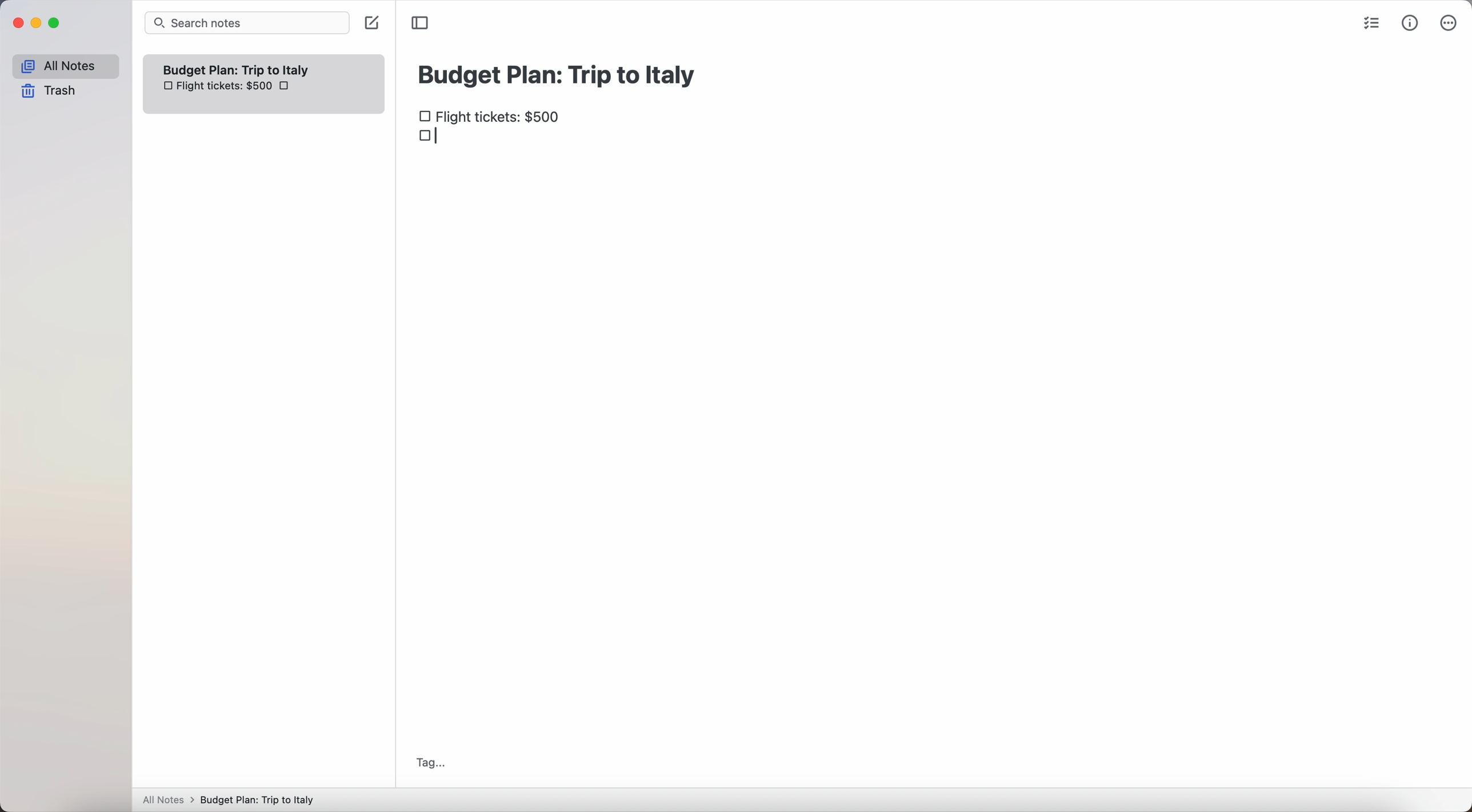  What do you see at coordinates (217, 87) in the screenshot?
I see `flight tickets: $500` at bounding box center [217, 87].